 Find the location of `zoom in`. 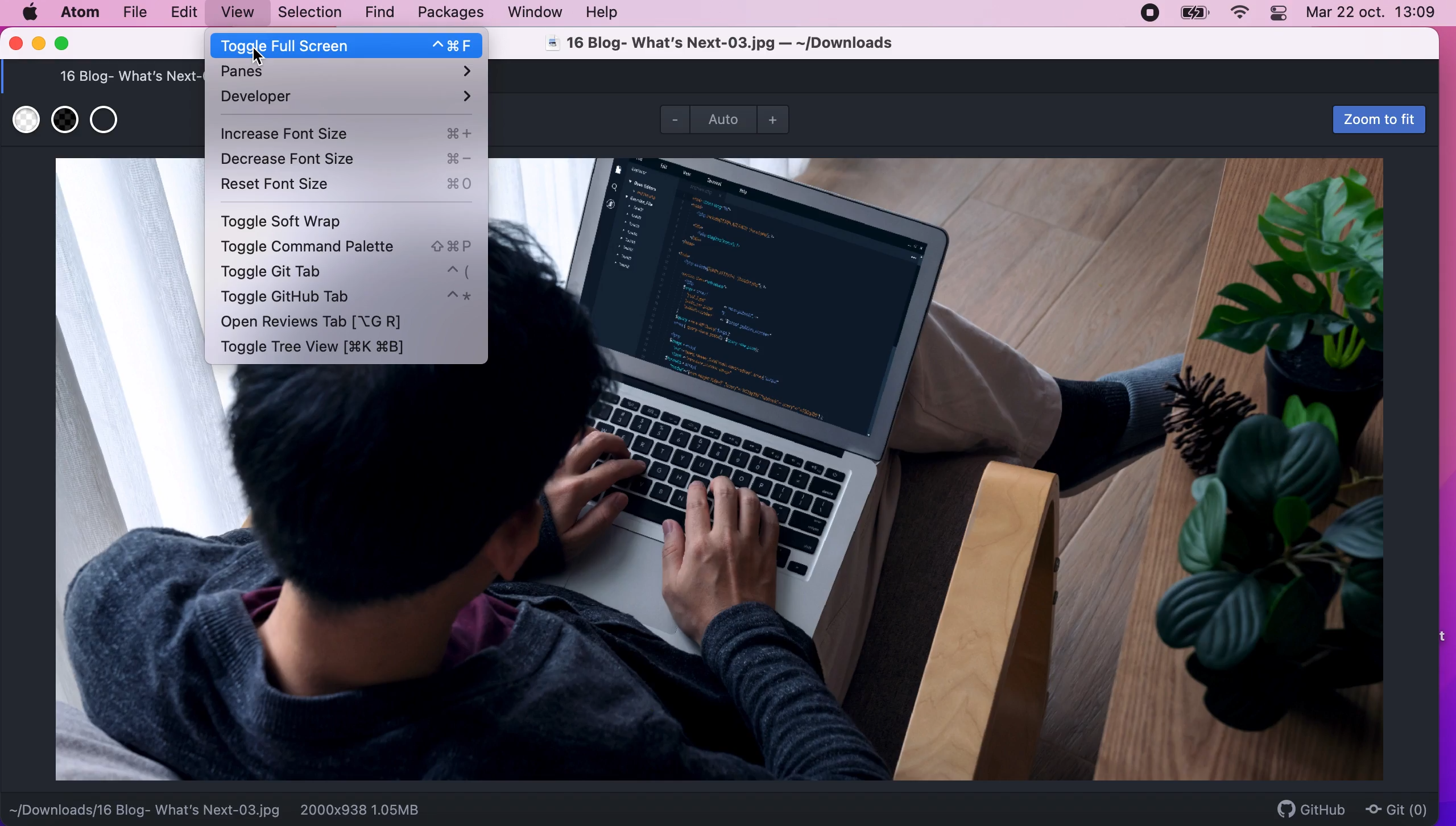

zoom in is located at coordinates (776, 119).